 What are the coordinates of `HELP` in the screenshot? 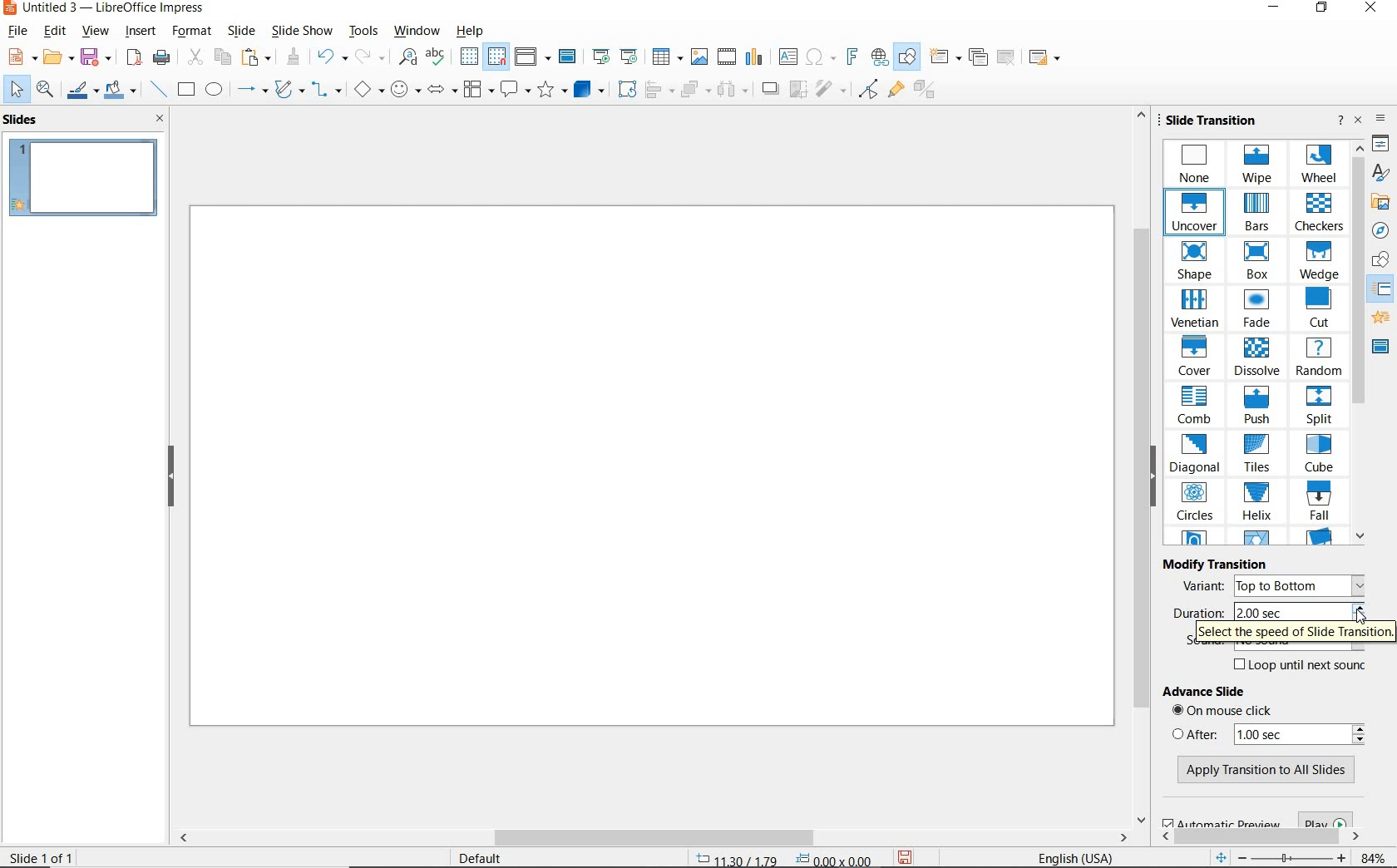 It's located at (470, 31).